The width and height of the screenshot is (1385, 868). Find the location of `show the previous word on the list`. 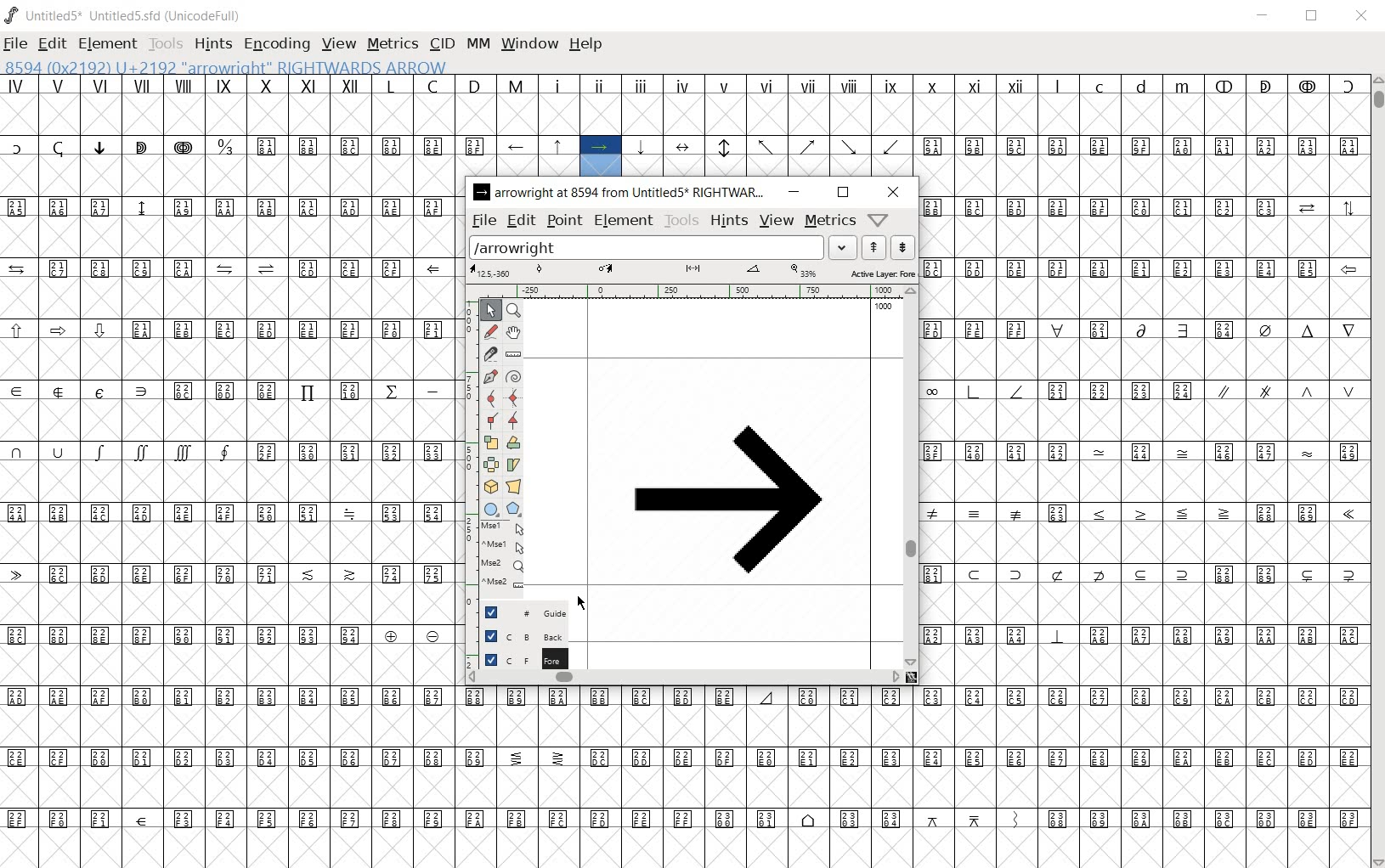

show the previous word on the list is located at coordinates (902, 247).